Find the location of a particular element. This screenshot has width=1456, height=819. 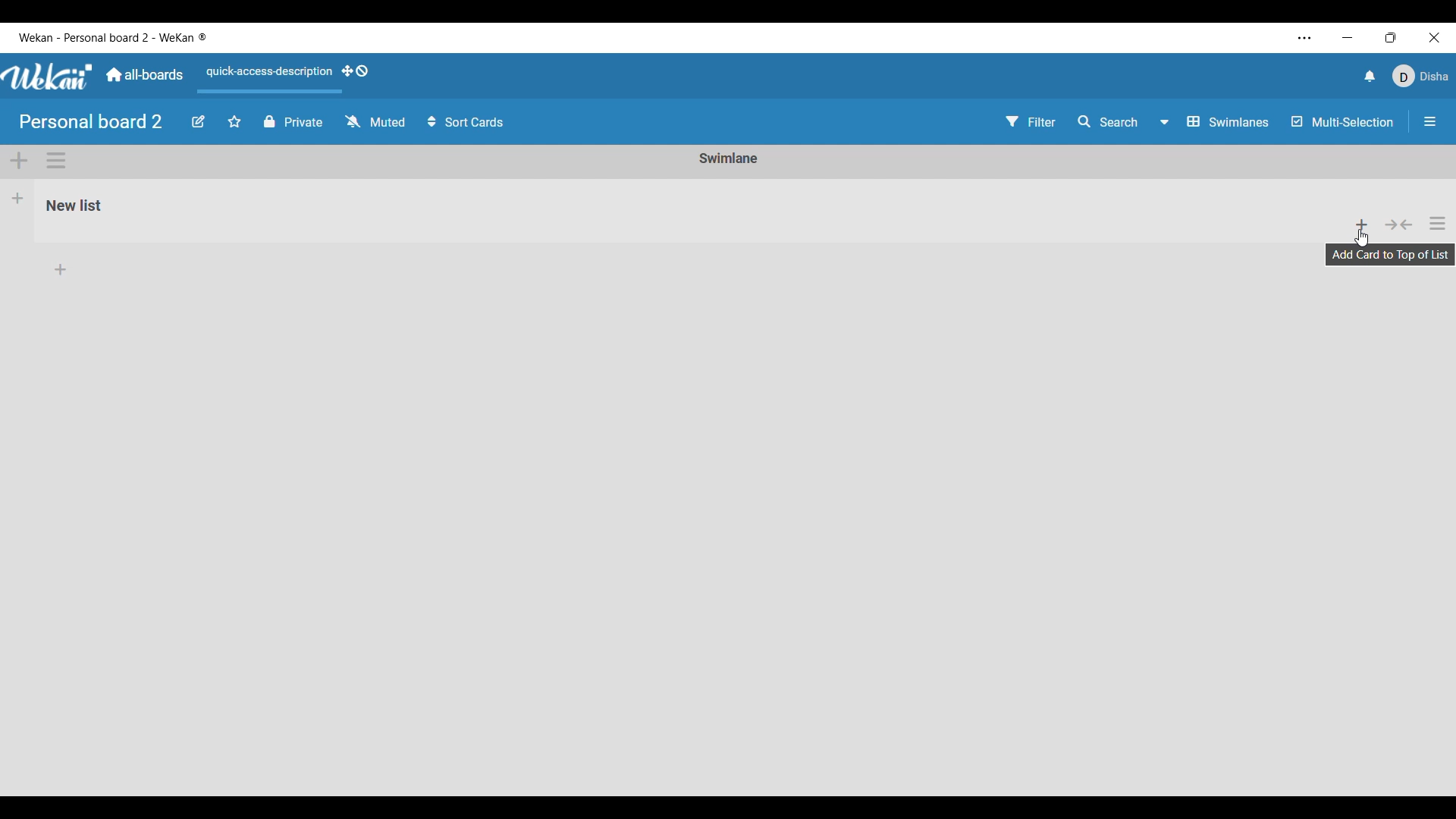

Software and board name is located at coordinates (112, 38).